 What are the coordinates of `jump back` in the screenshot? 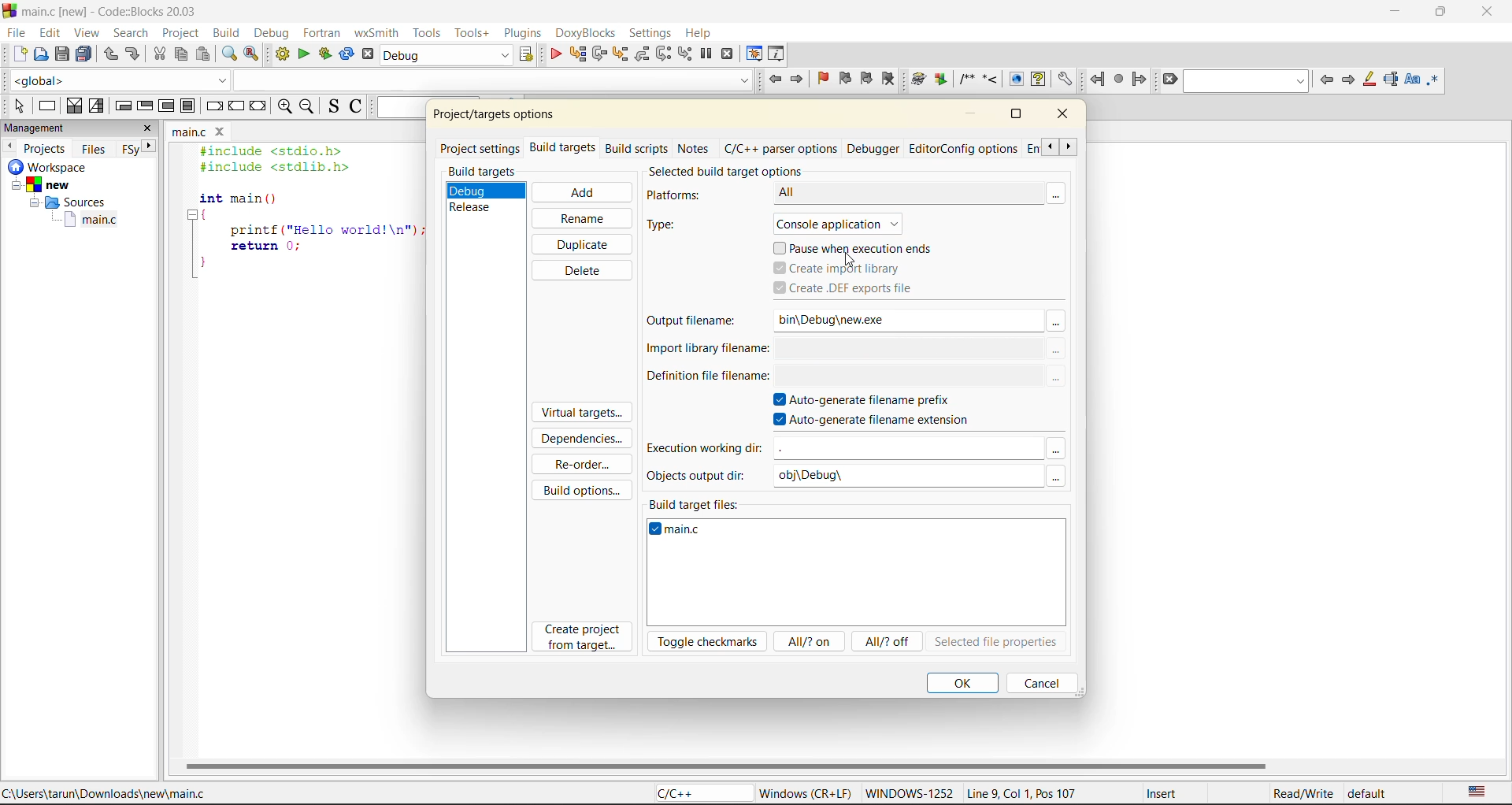 It's located at (1096, 80).